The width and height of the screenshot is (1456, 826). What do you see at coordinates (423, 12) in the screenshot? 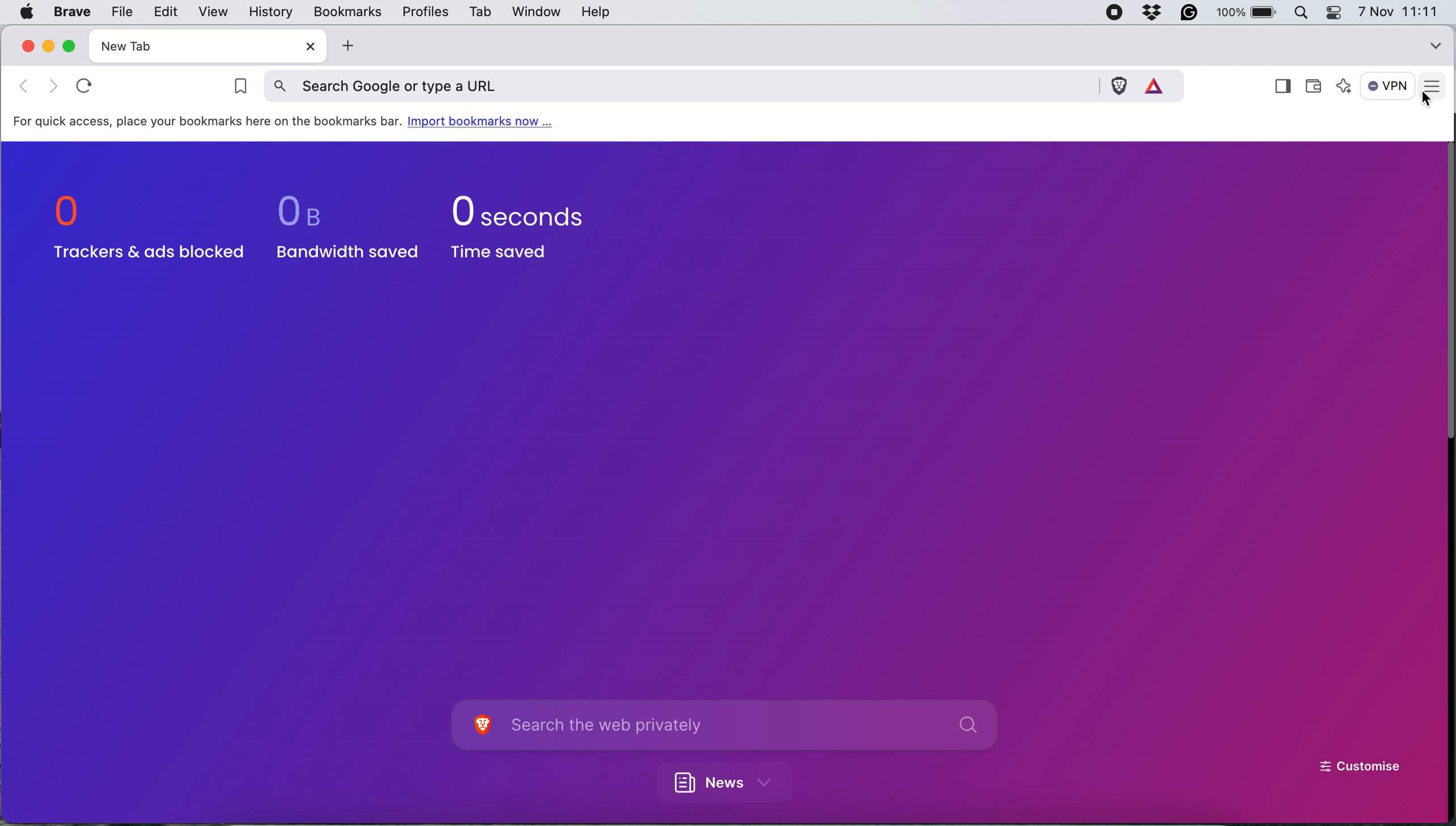
I see `profiles` at bounding box center [423, 12].